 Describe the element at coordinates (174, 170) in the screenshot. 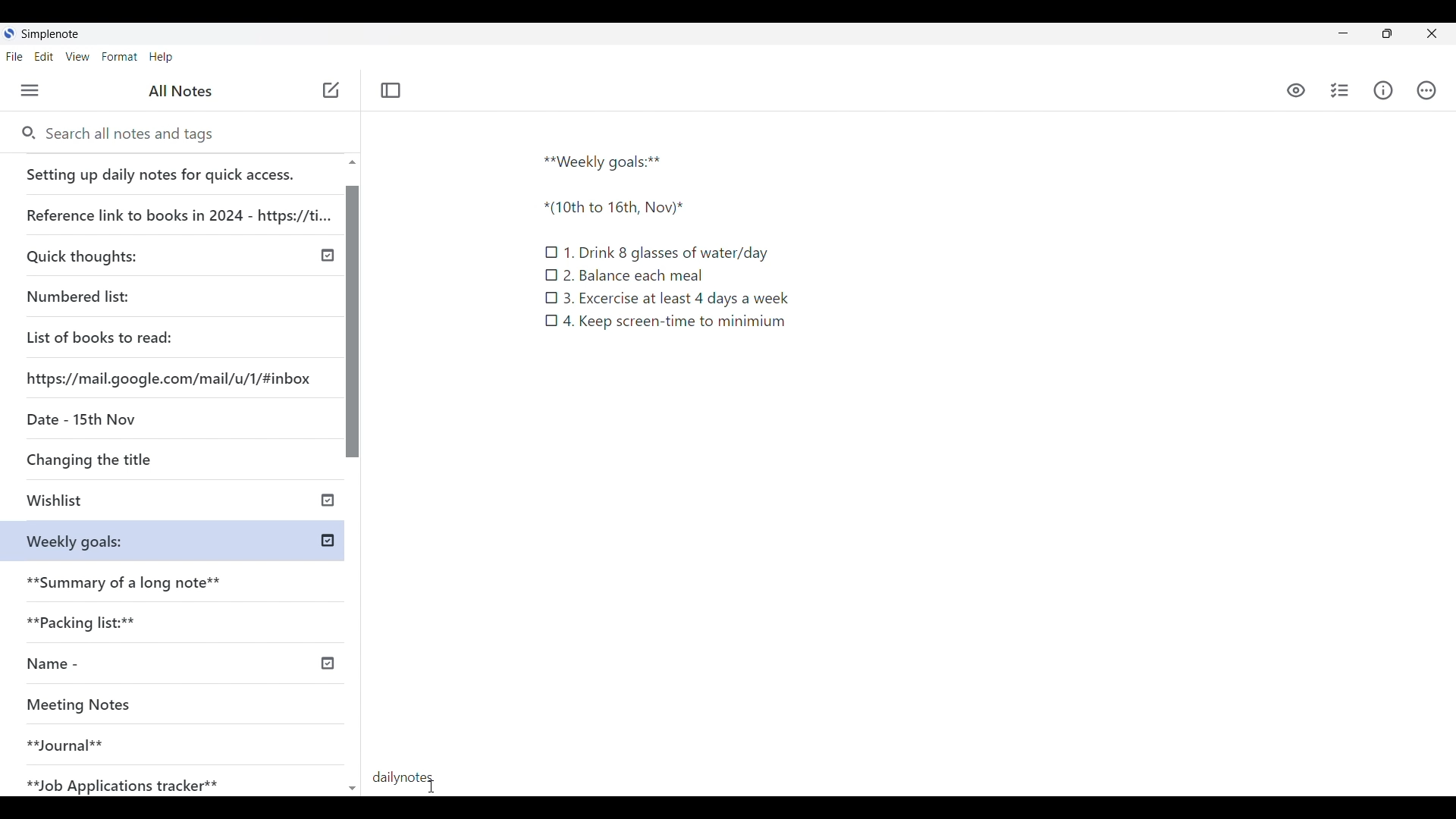

I see `Setting up daily notes` at that location.